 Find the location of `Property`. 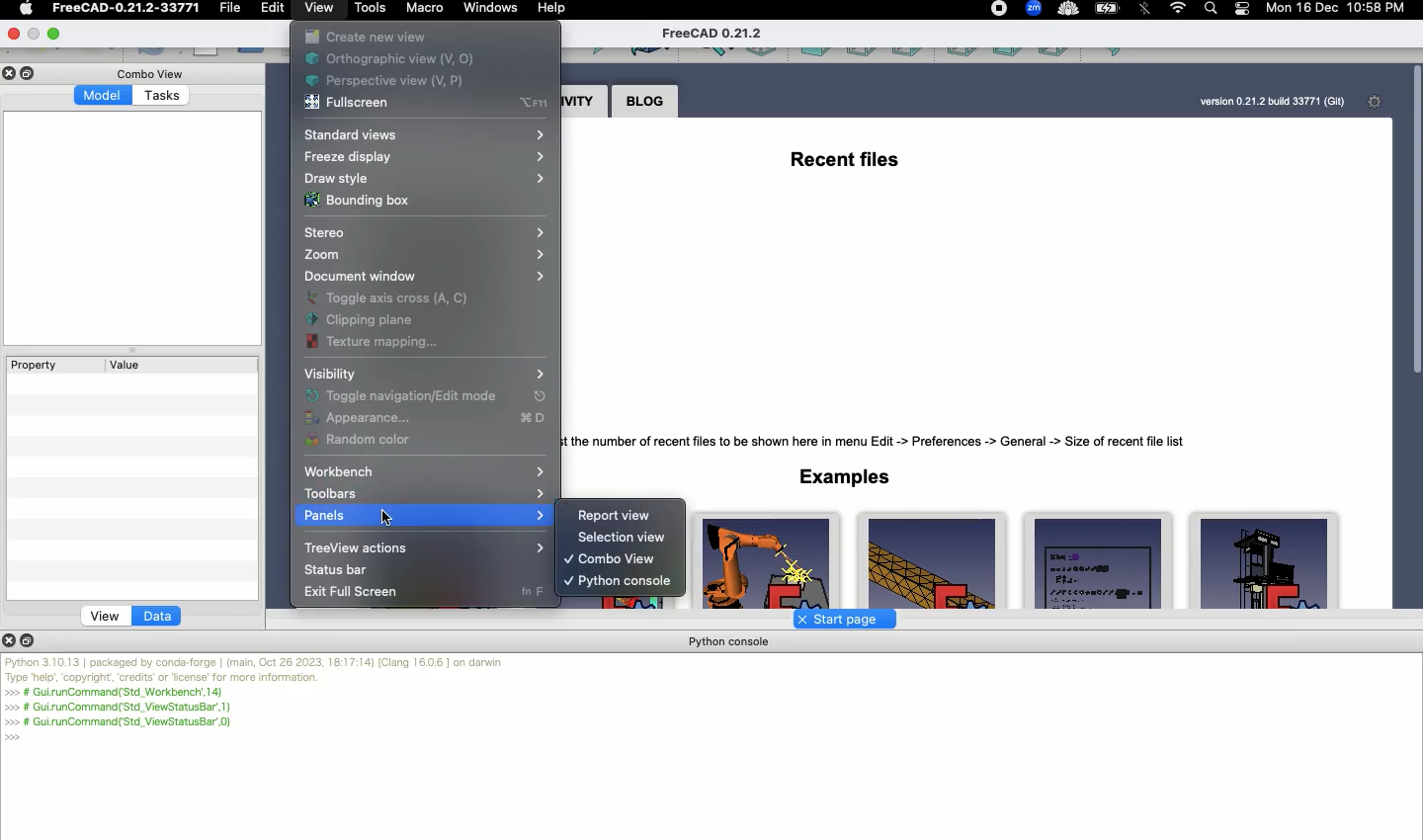

Property is located at coordinates (36, 365).